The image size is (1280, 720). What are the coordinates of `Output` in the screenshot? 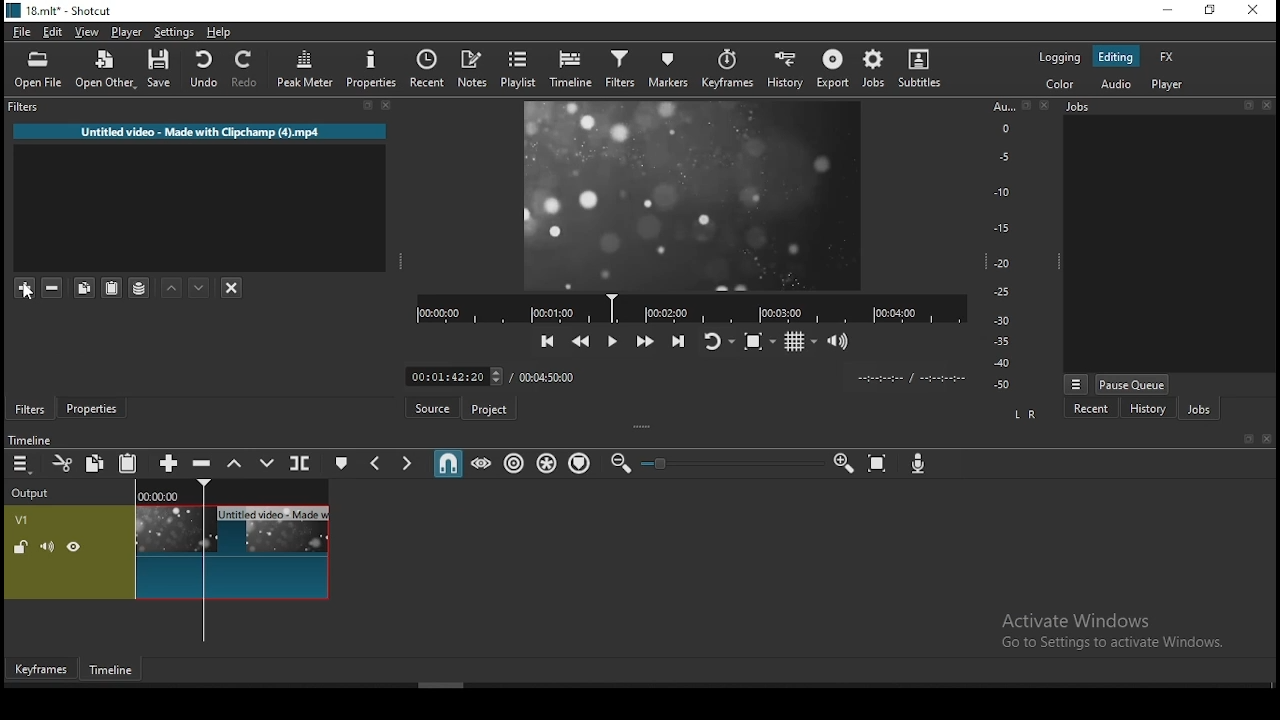 It's located at (34, 490).